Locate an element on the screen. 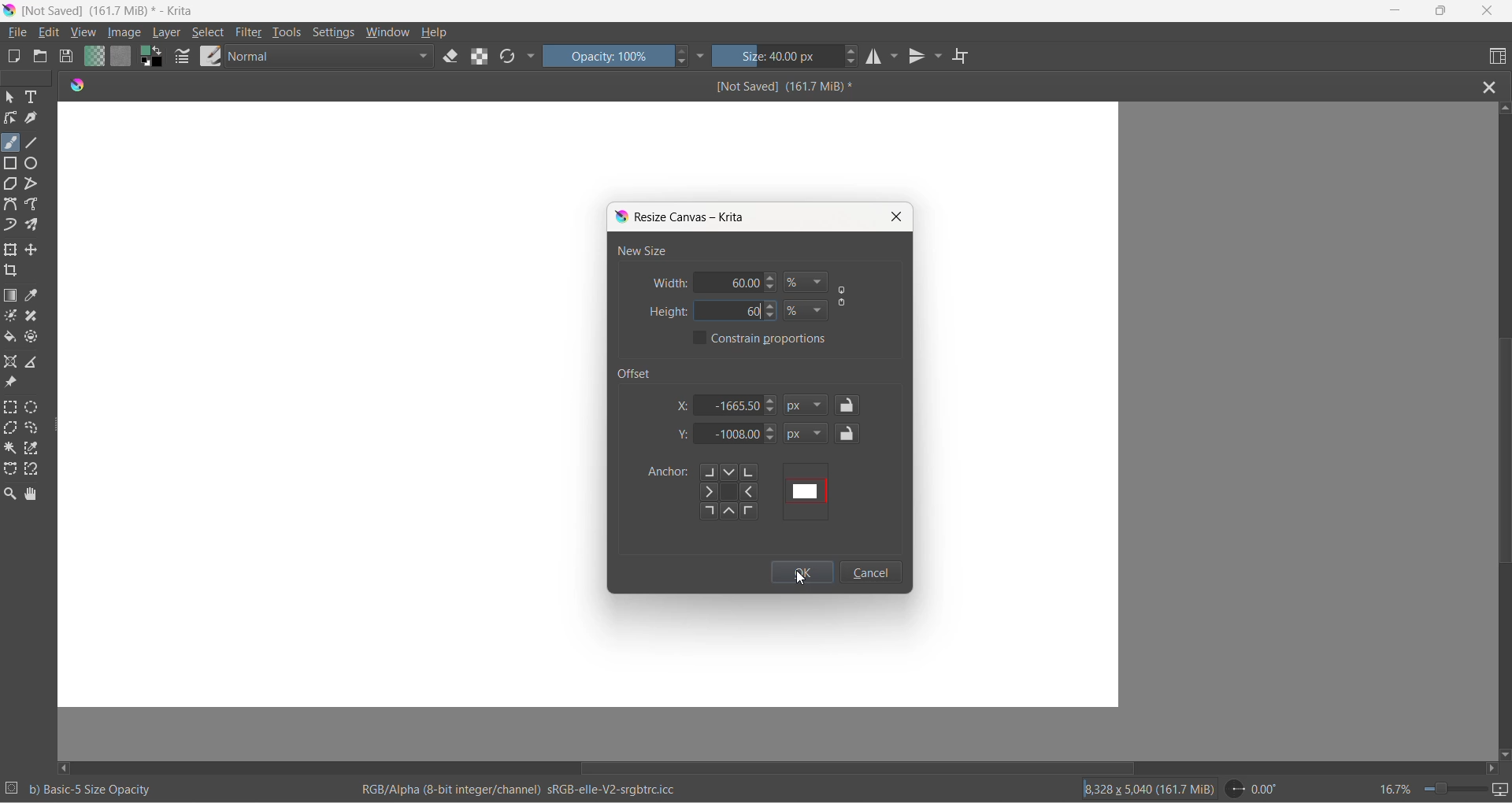  fill patterns is located at coordinates (121, 58).